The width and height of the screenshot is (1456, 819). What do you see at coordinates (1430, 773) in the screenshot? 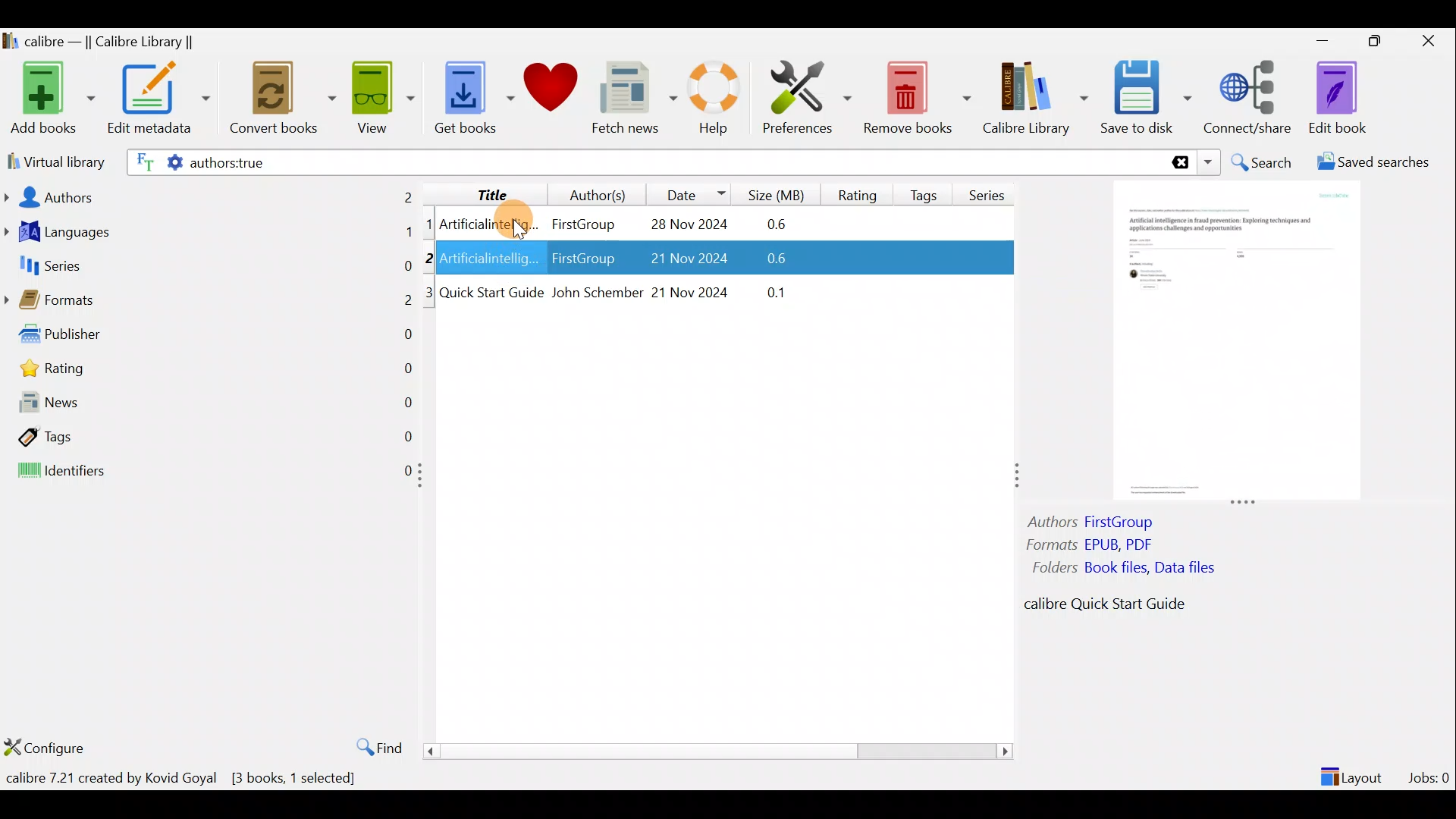
I see `Jobs: 0` at bounding box center [1430, 773].